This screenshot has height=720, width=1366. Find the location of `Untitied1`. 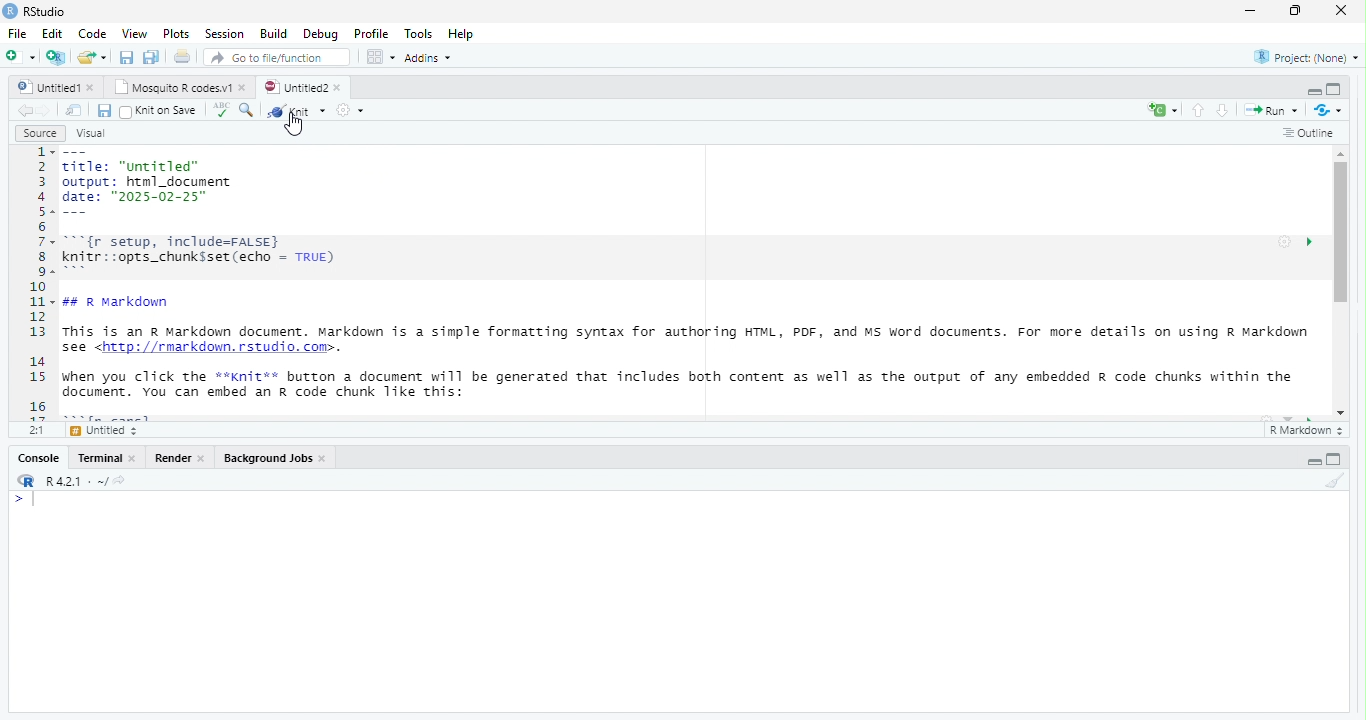

Untitied1 is located at coordinates (49, 87).